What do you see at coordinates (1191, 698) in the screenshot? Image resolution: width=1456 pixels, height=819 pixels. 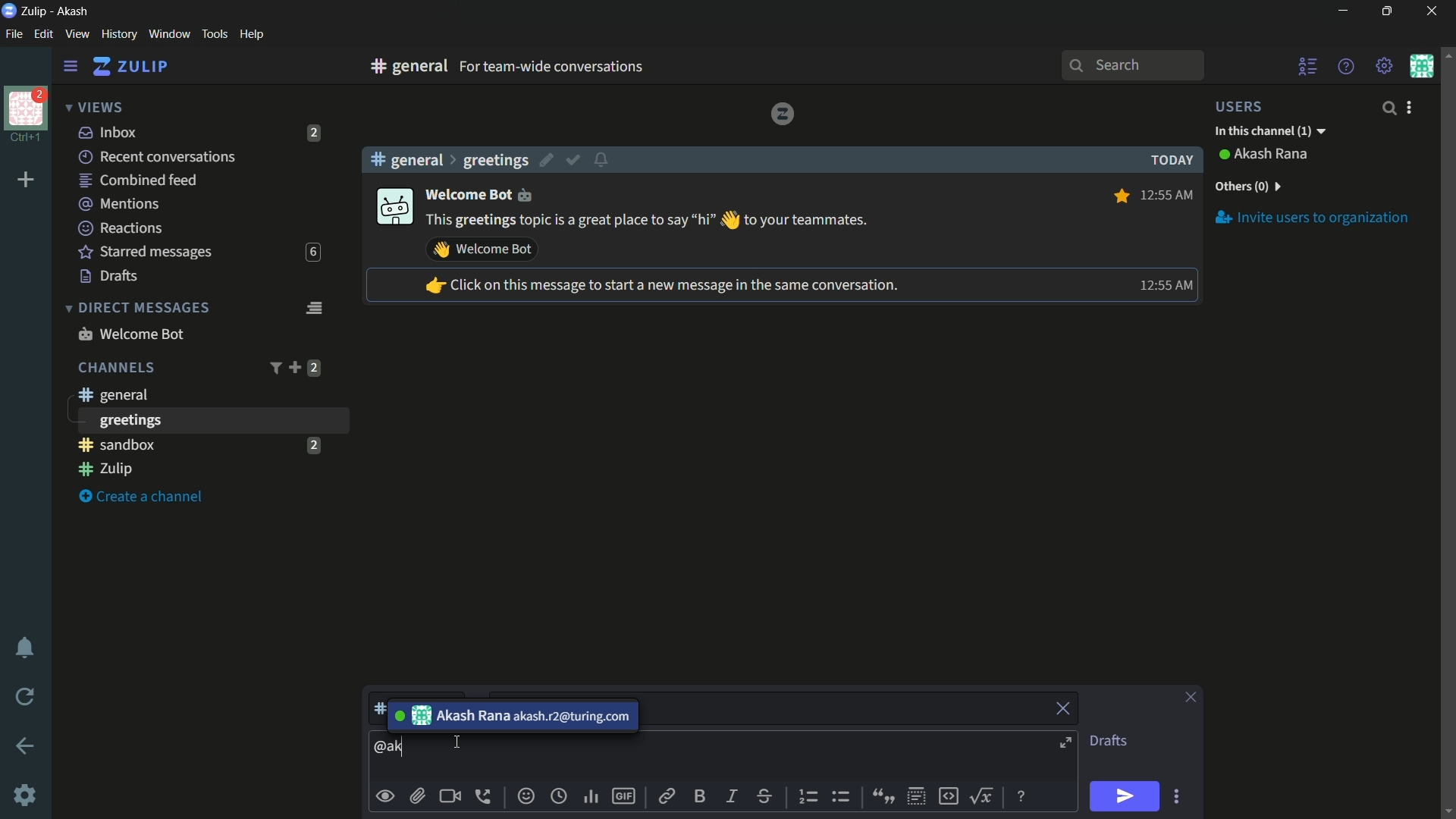 I see `close pane` at bounding box center [1191, 698].